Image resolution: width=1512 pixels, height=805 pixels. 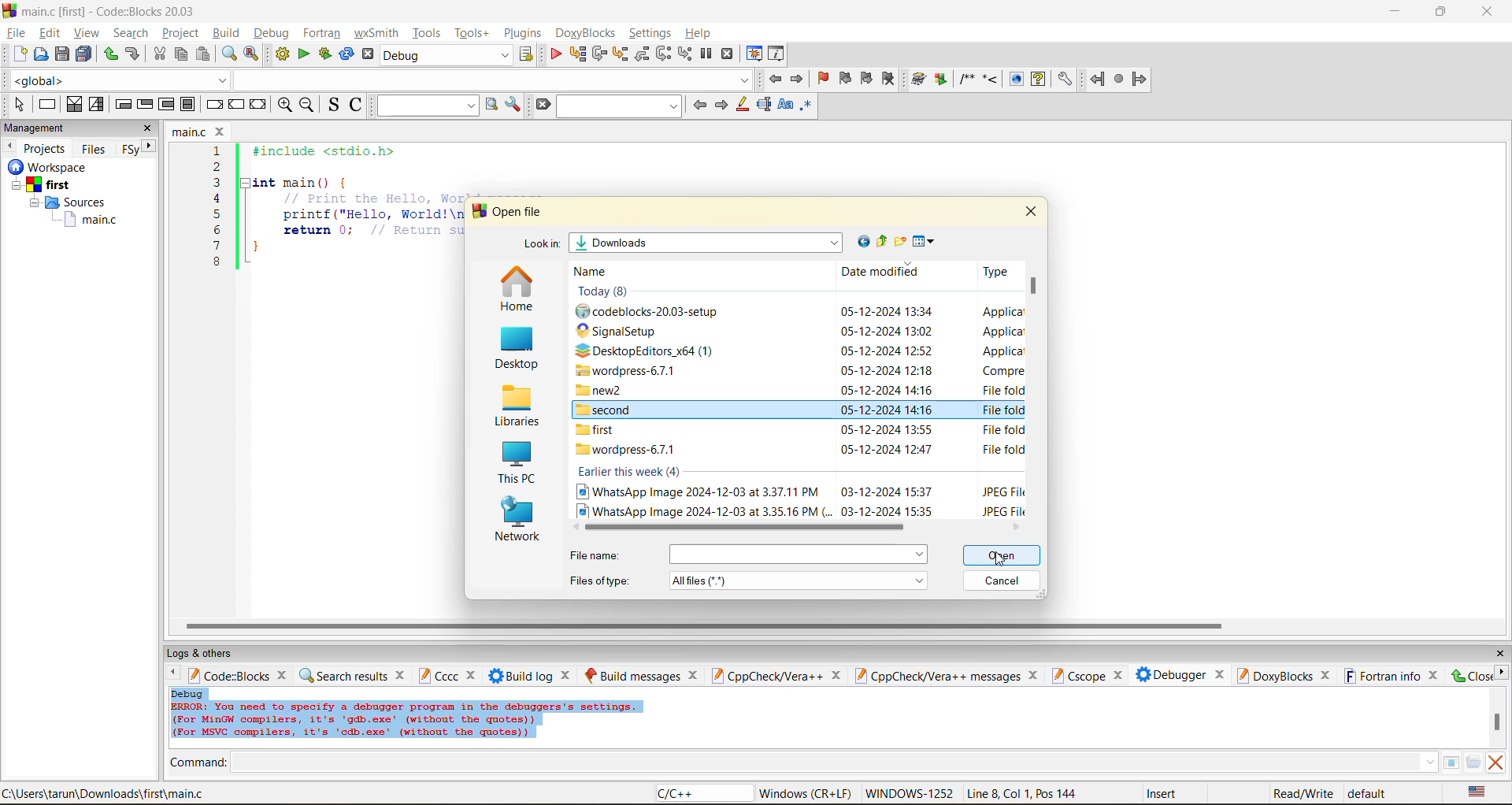 I want to click on Fsy, so click(x=129, y=150).